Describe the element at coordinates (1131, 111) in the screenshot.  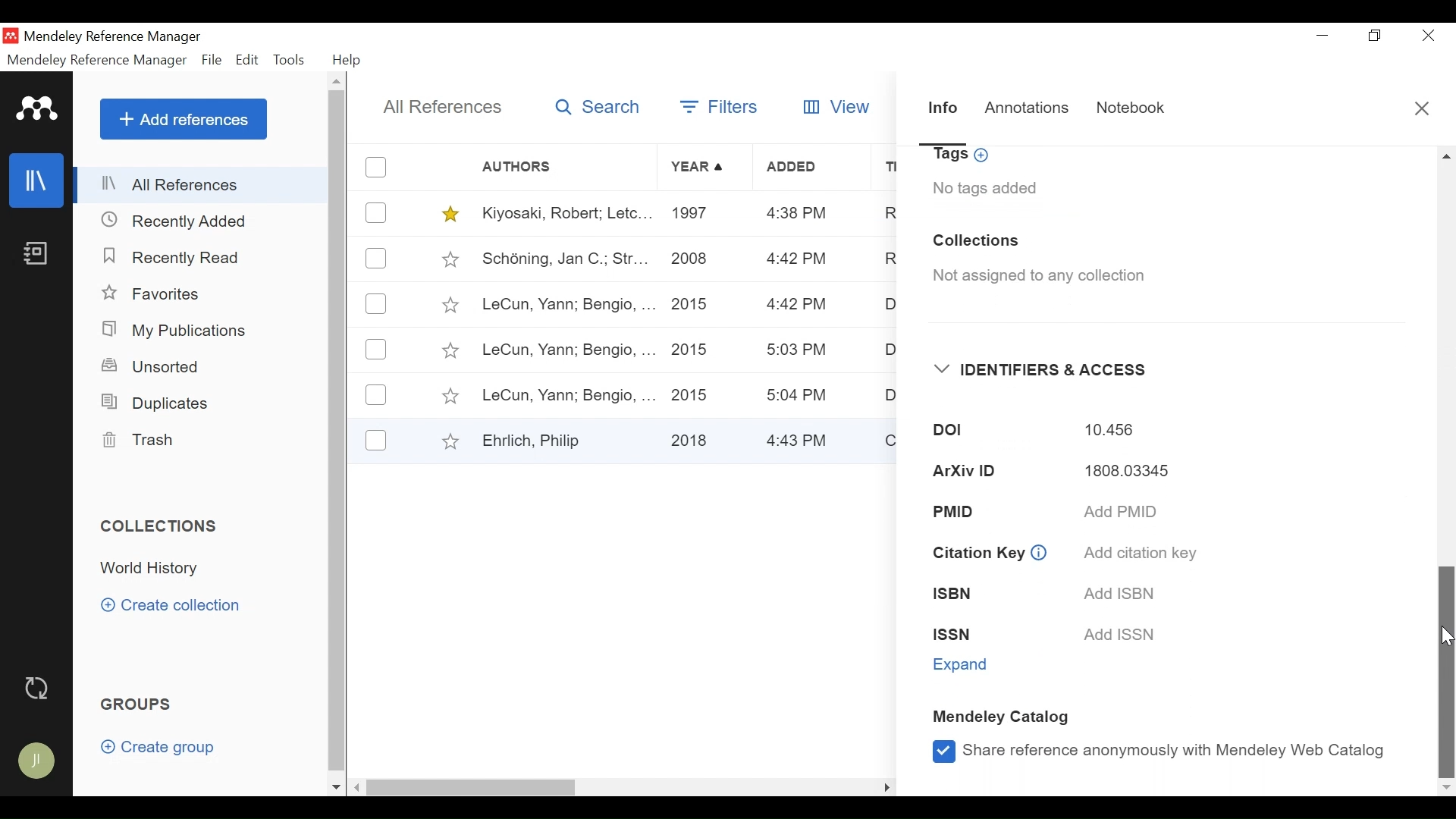
I see `Notebook` at that location.